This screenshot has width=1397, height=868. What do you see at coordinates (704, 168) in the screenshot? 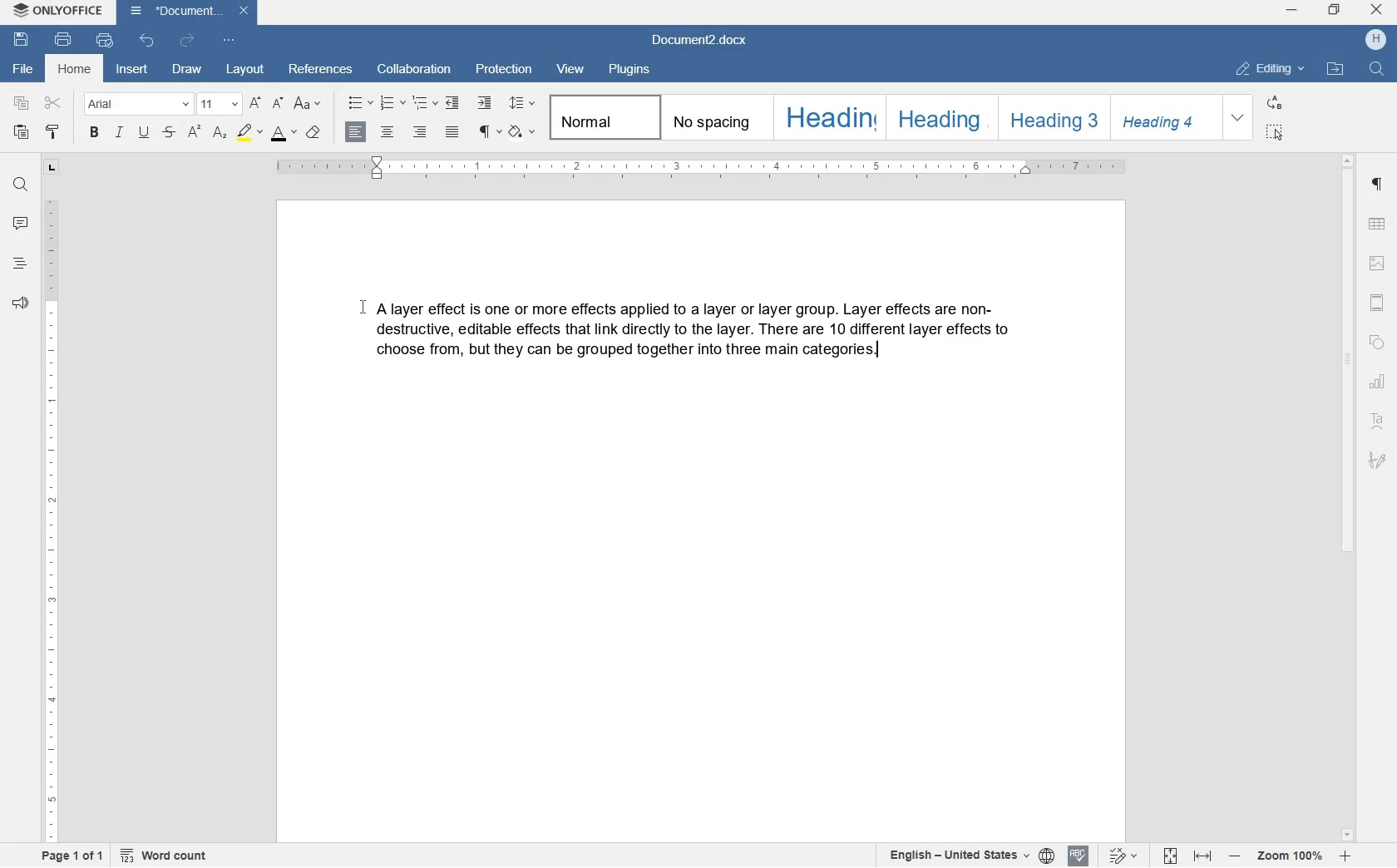
I see `ruler` at bounding box center [704, 168].